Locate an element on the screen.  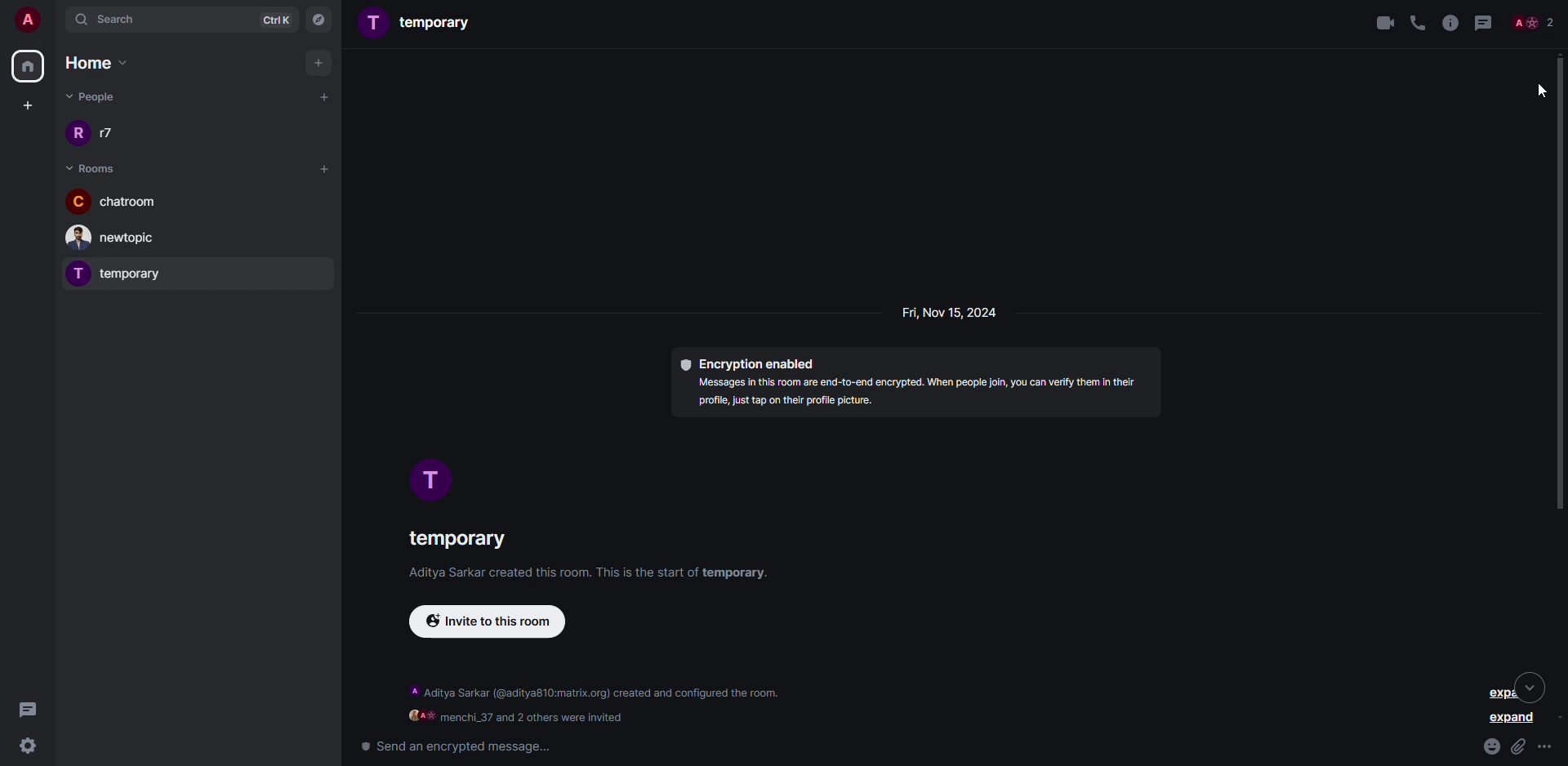
video call is located at coordinates (1378, 21).